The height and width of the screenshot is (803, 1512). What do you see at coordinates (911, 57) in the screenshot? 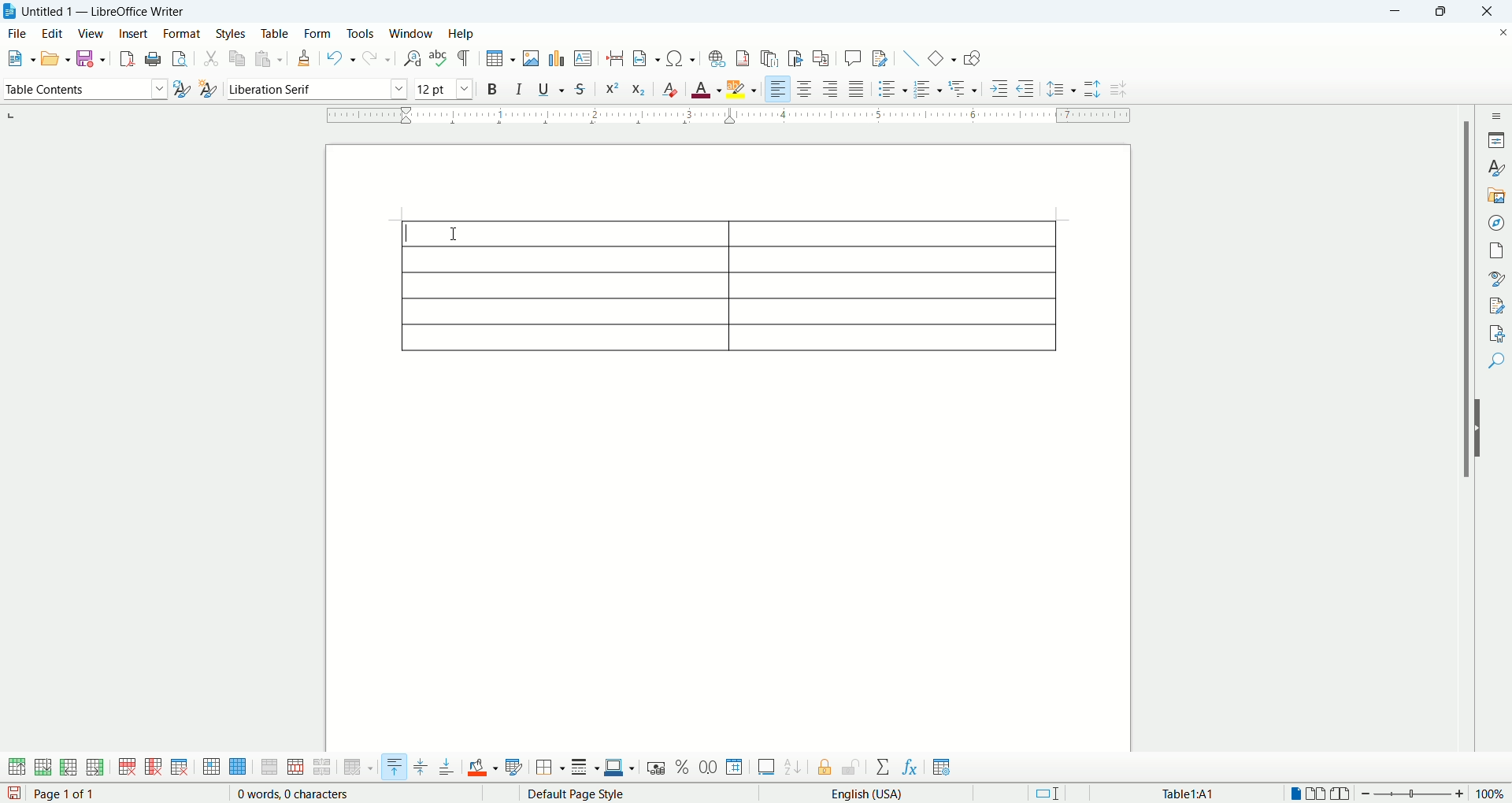
I see `insert line` at bounding box center [911, 57].